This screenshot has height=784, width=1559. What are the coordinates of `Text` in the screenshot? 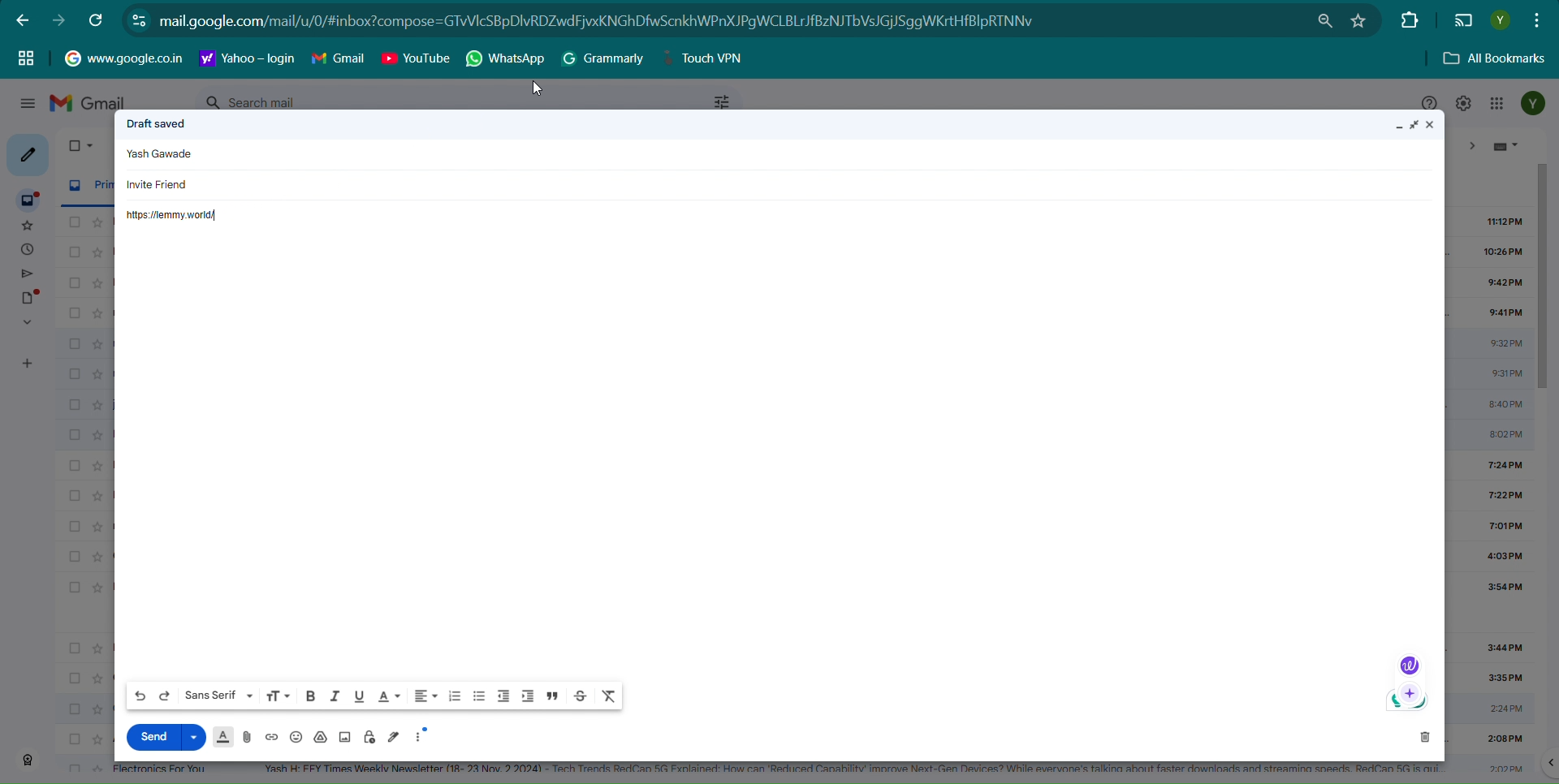 It's located at (157, 123).